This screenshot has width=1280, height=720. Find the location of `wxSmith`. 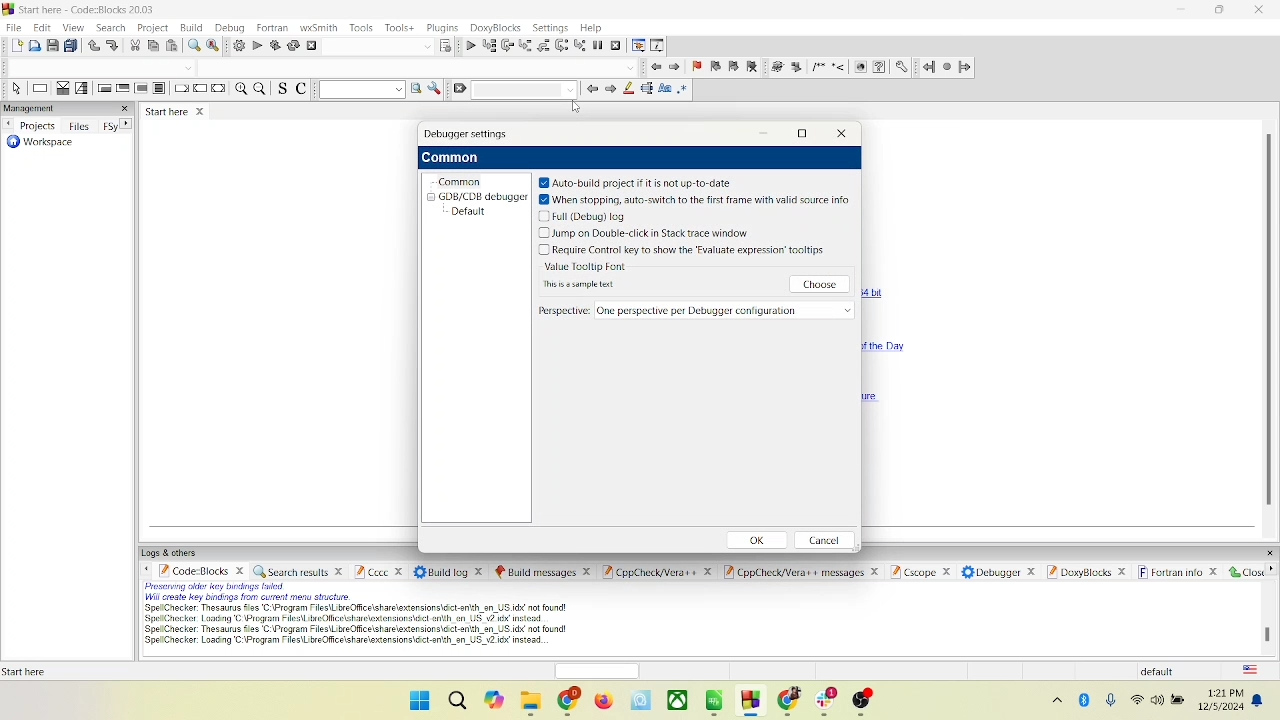

wxSmith is located at coordinates (320, 27).